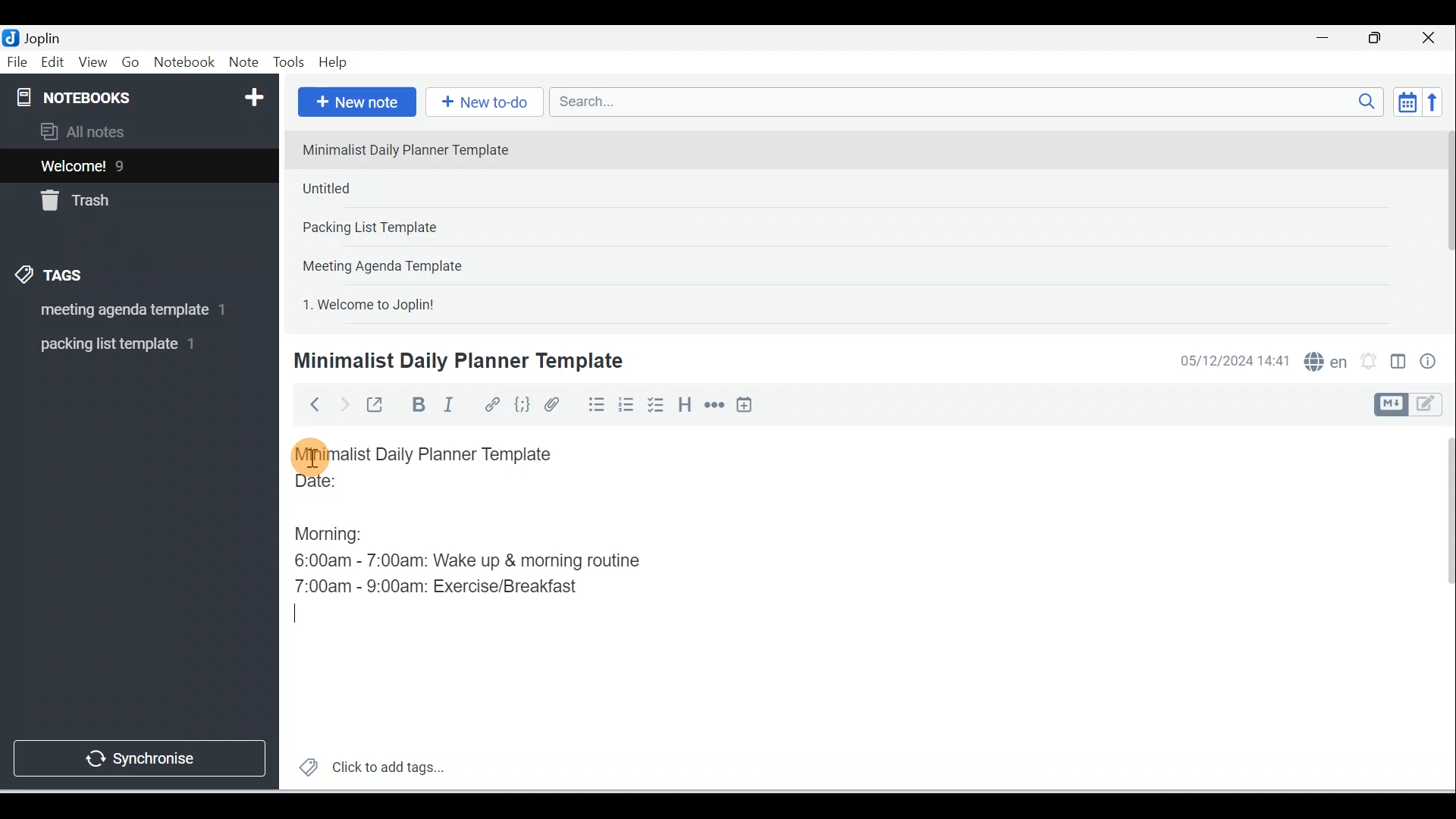 Image resolution: width=1456 pixels, height=819 pixels. I want to click on Note 1, so click(416, 149).